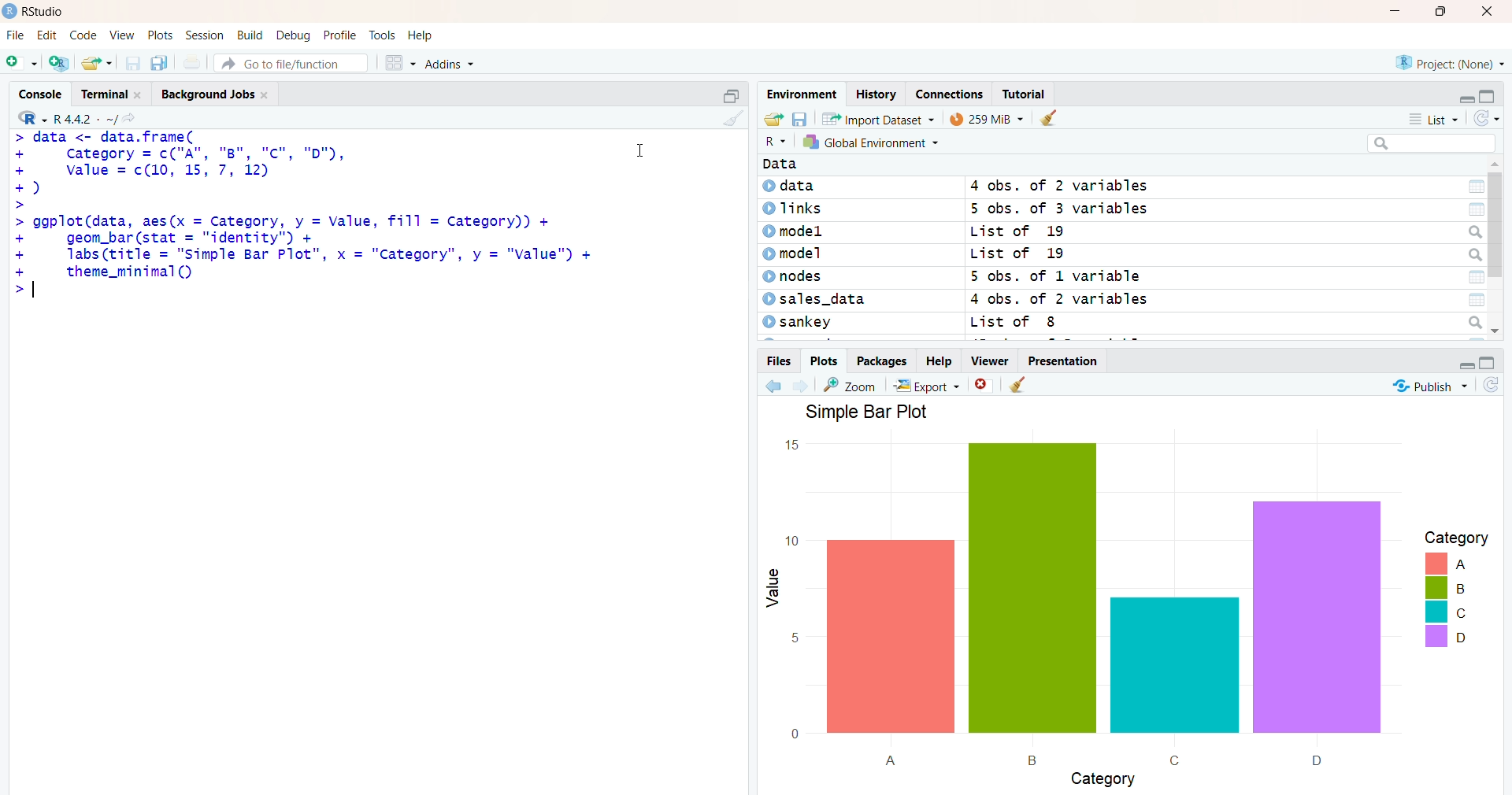 The height and width of the screenshot is (795, 1512). Describe the element at coordinates (951, 94) in the screenshot. I see `Connections` at that location.